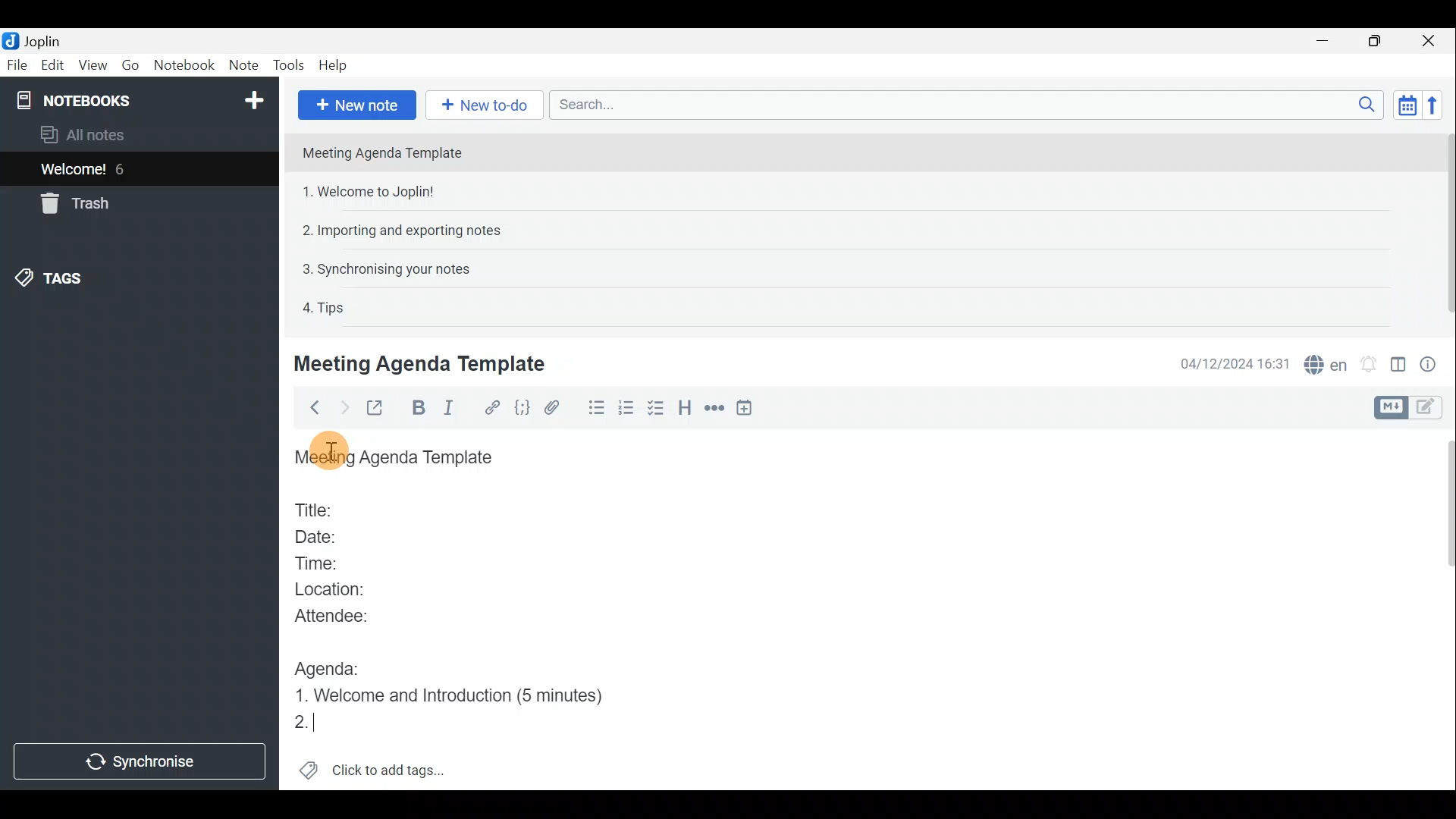  What do you see at coordinates (53, 67) in the screenshot?
I see `Edit` at bounding box center [53, 67].